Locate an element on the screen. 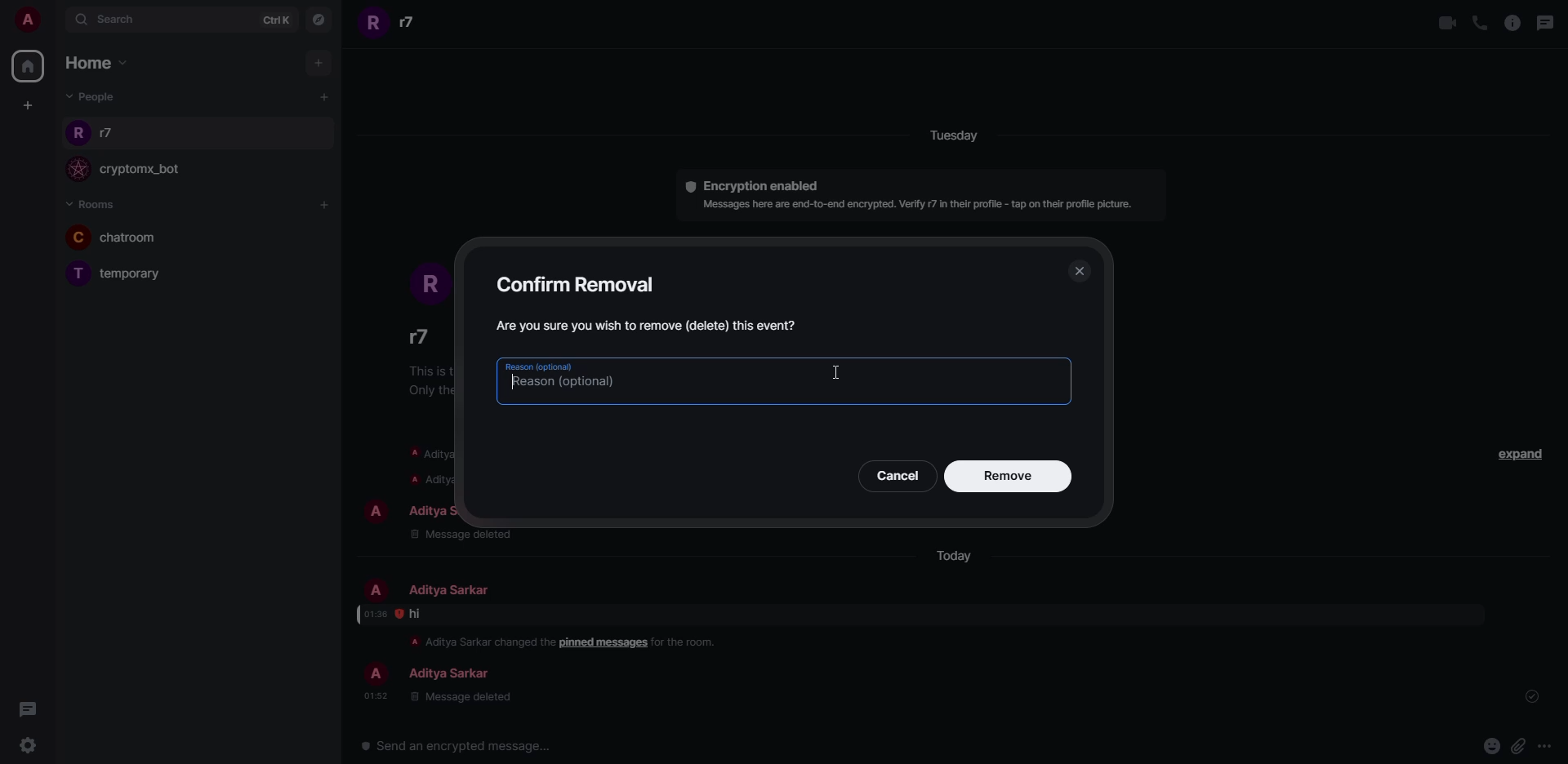 The image size is (1568, 764). people is located at coordinates (413, 22).